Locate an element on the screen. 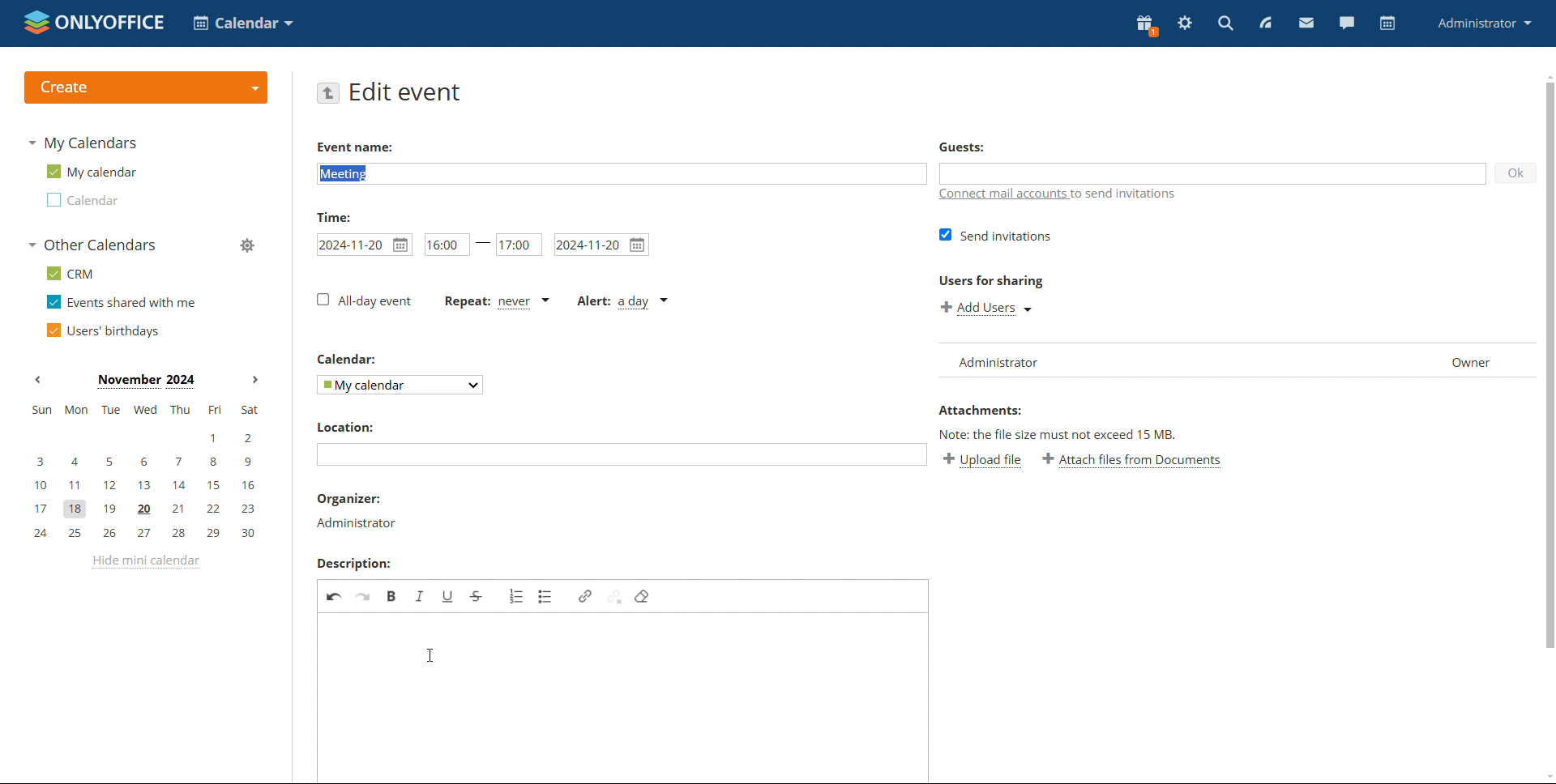 This screenshot has width=1556, height=784. hide mini calendar is located at coordinates (145, 562).